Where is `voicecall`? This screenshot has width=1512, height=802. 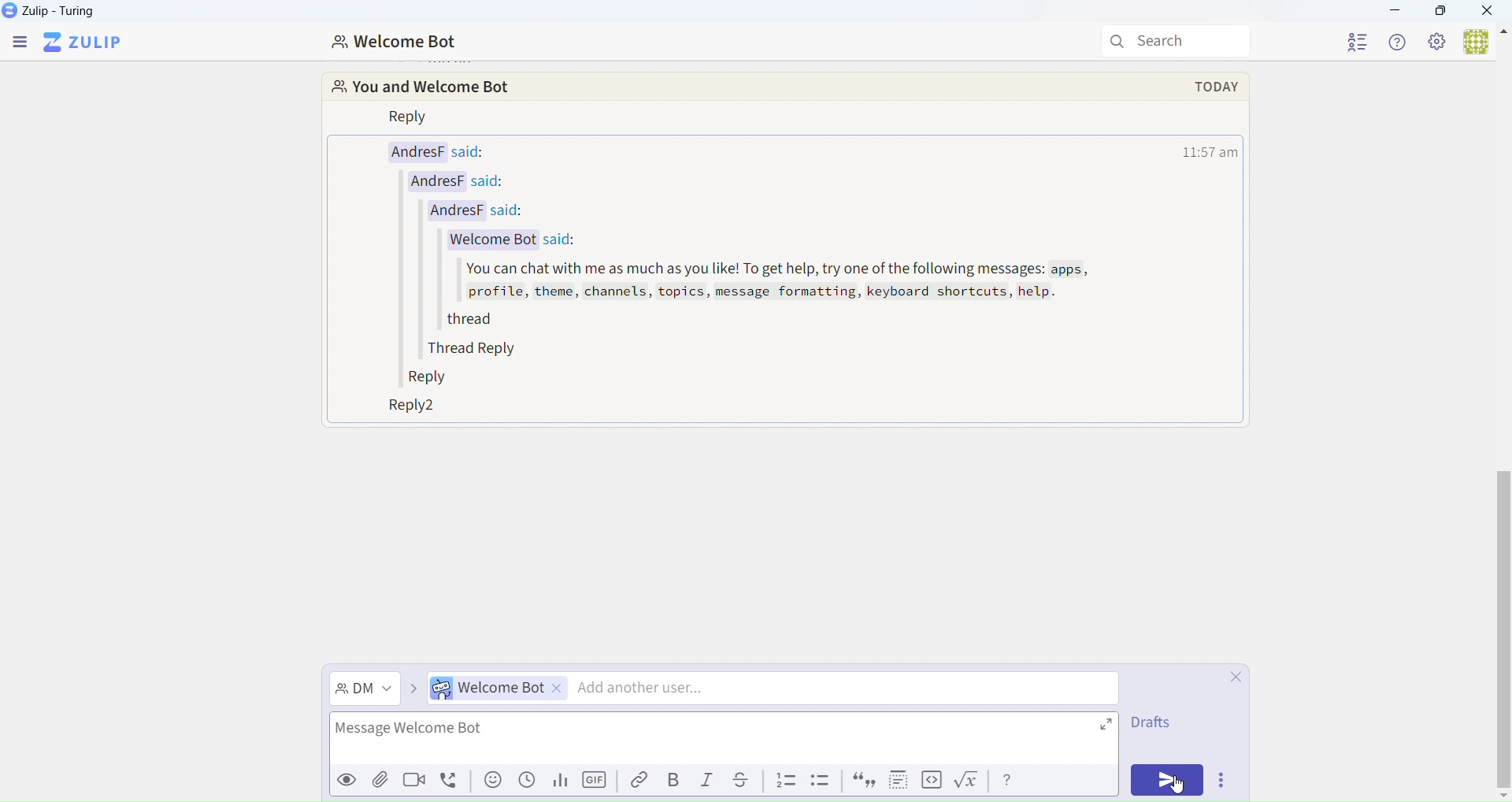 voicecall is located at coordinates (453, 783).